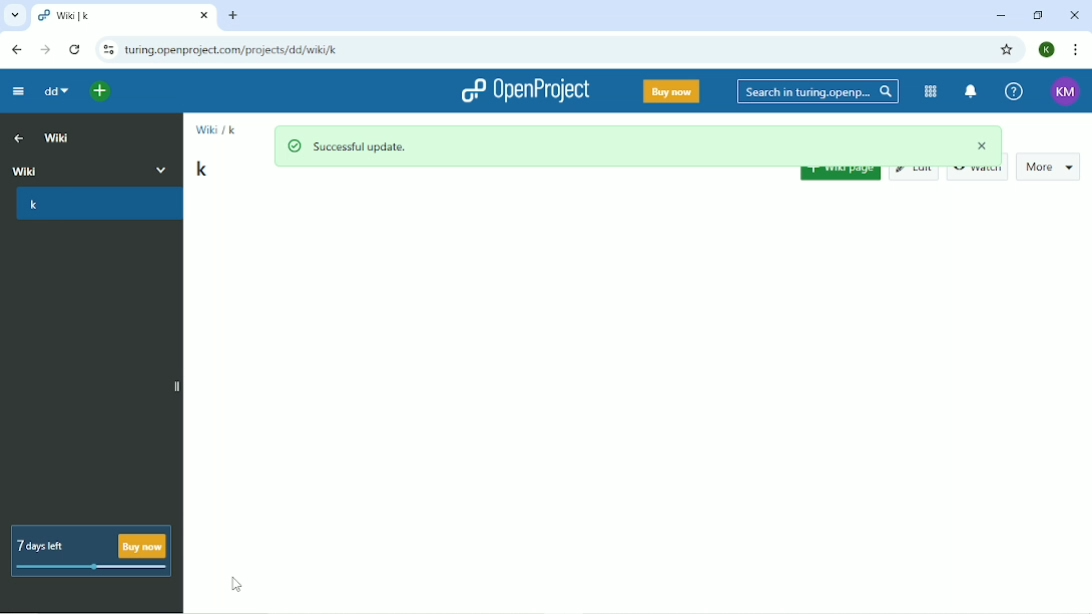  What do you see at coordinates (15, 48) in the screenshot?
I see `Back` at bounding box center [15, 48].